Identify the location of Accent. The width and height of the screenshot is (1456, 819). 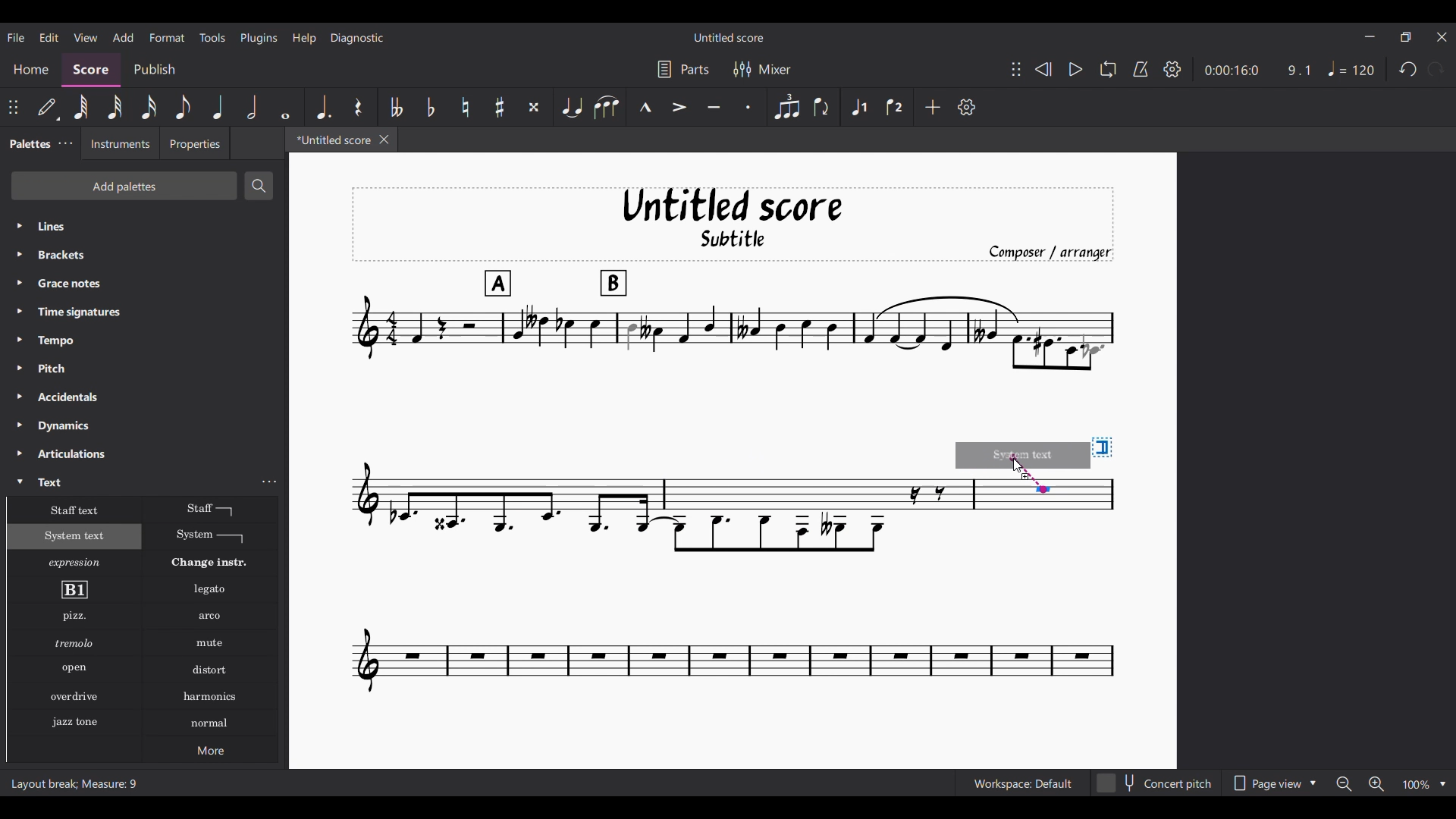
(679, 107).